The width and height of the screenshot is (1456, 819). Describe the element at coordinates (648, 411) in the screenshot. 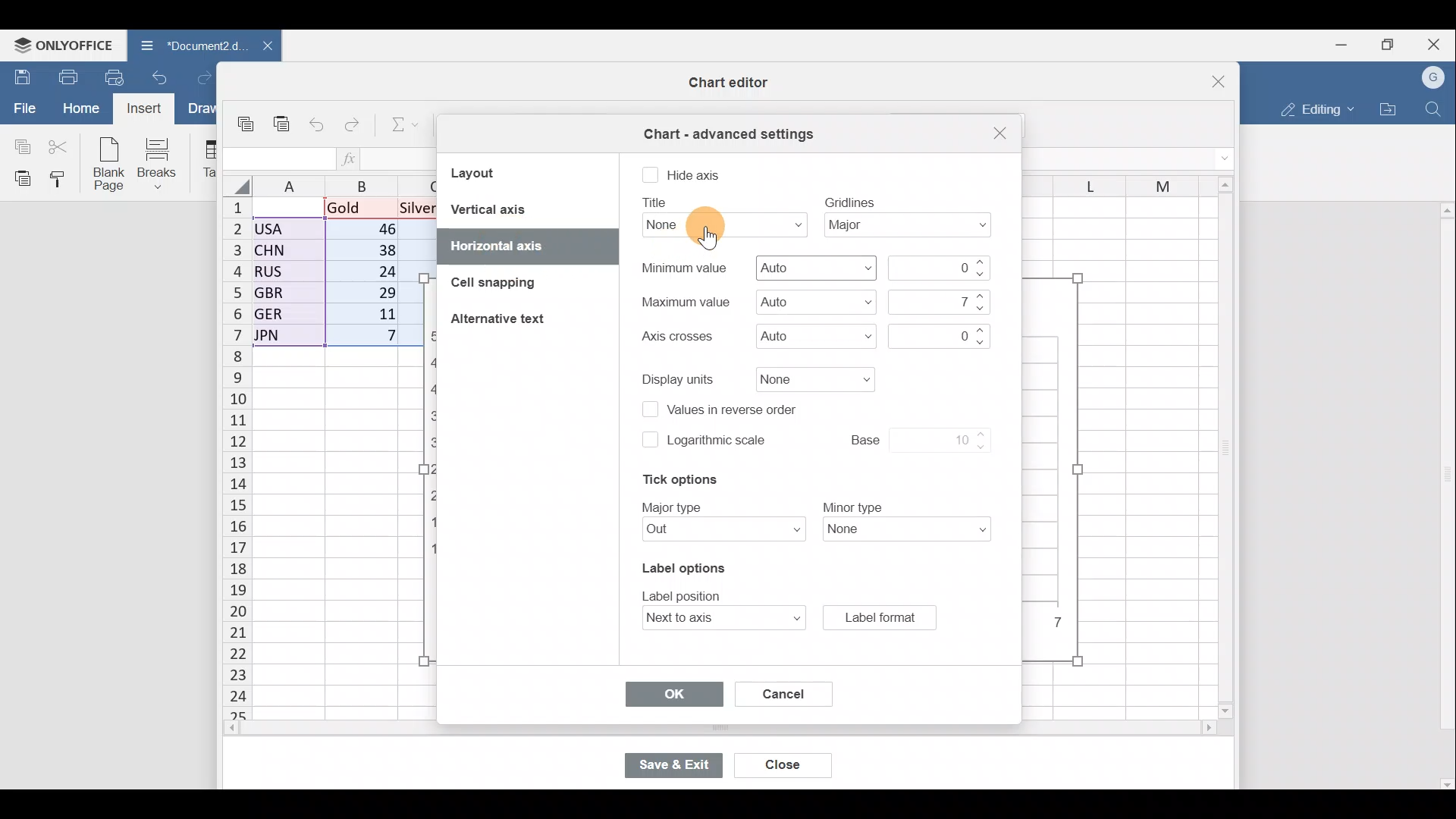

I see `checkbox` at that location.